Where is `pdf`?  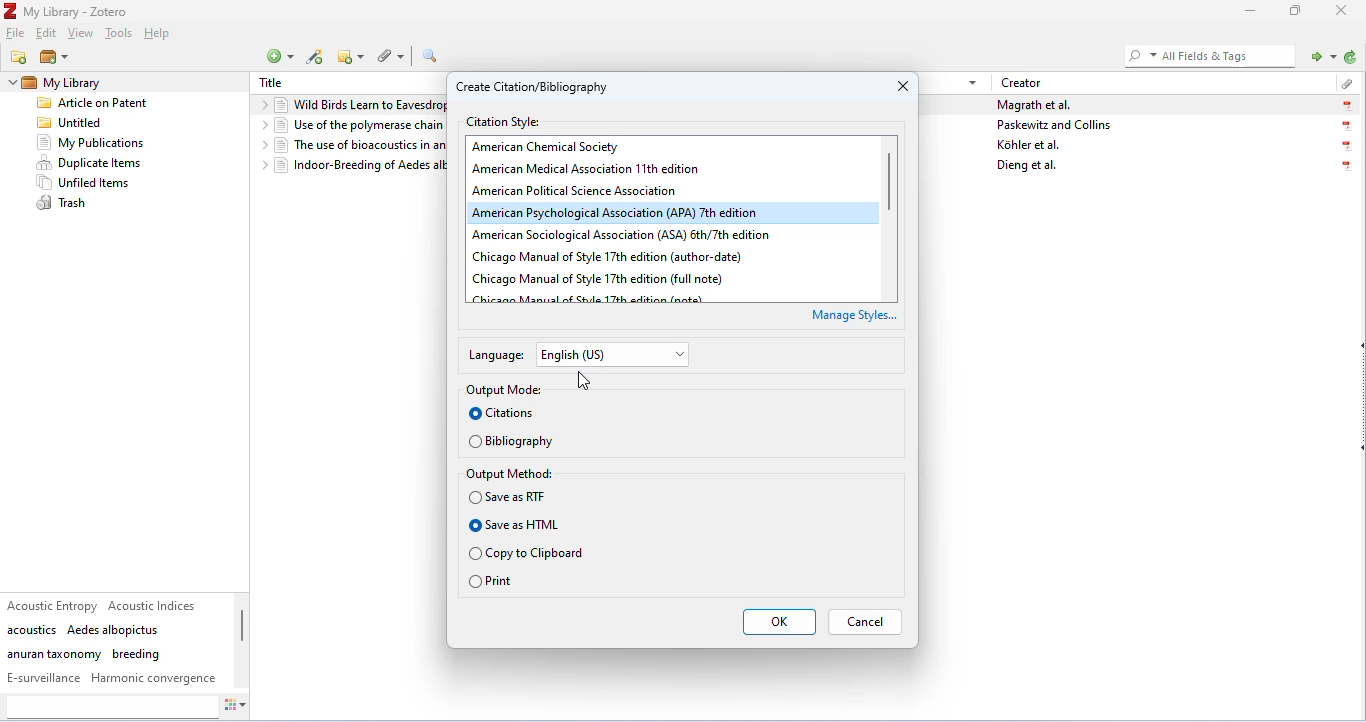 pdf is located at coordinates (1345, 106).